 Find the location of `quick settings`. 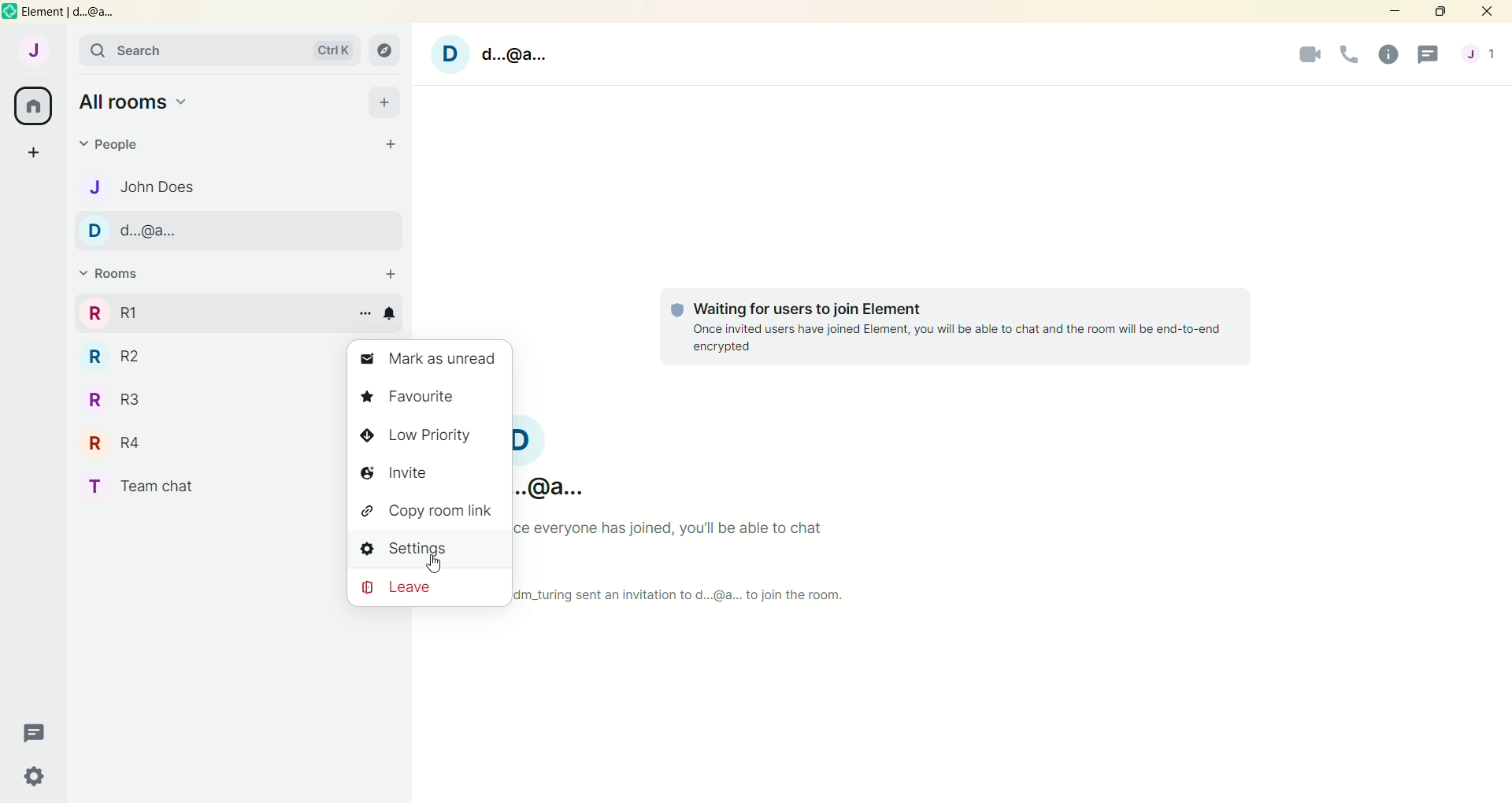

quick settings is located at coordinates (31, 775).